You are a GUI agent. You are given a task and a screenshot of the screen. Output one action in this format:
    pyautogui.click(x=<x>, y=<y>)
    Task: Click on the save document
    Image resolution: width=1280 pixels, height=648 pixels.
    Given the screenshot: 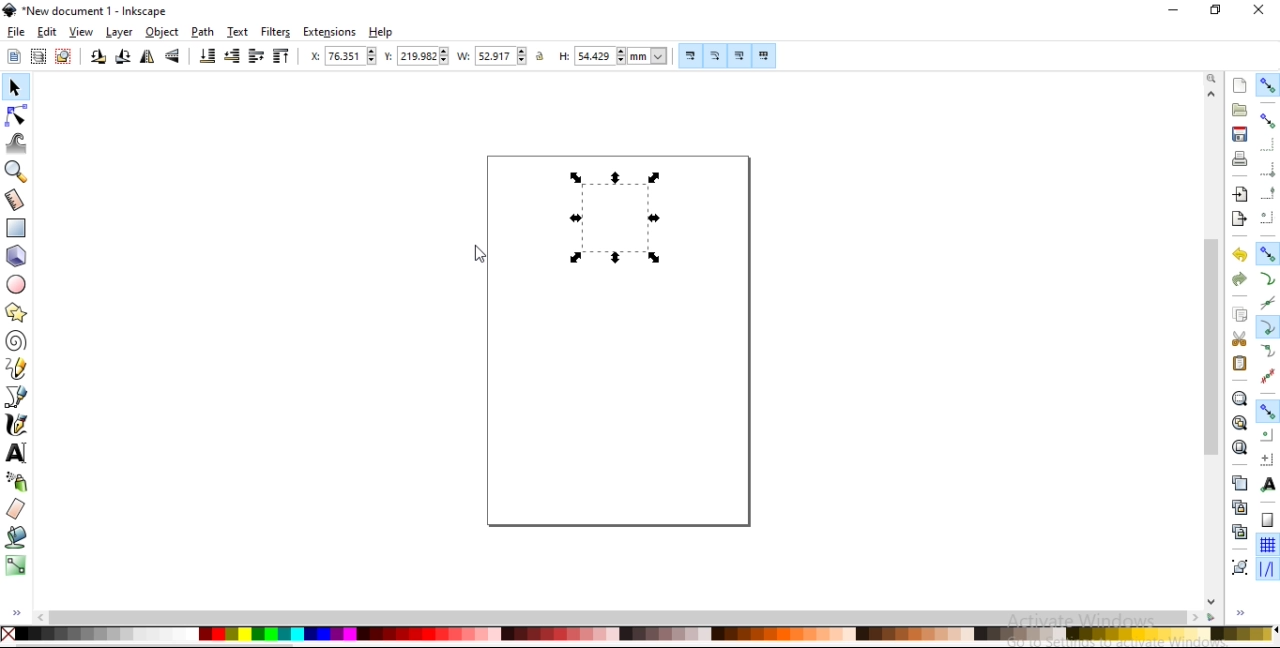 What is the action you would take?
    pyautogui.click(x=1239, y=133)
    